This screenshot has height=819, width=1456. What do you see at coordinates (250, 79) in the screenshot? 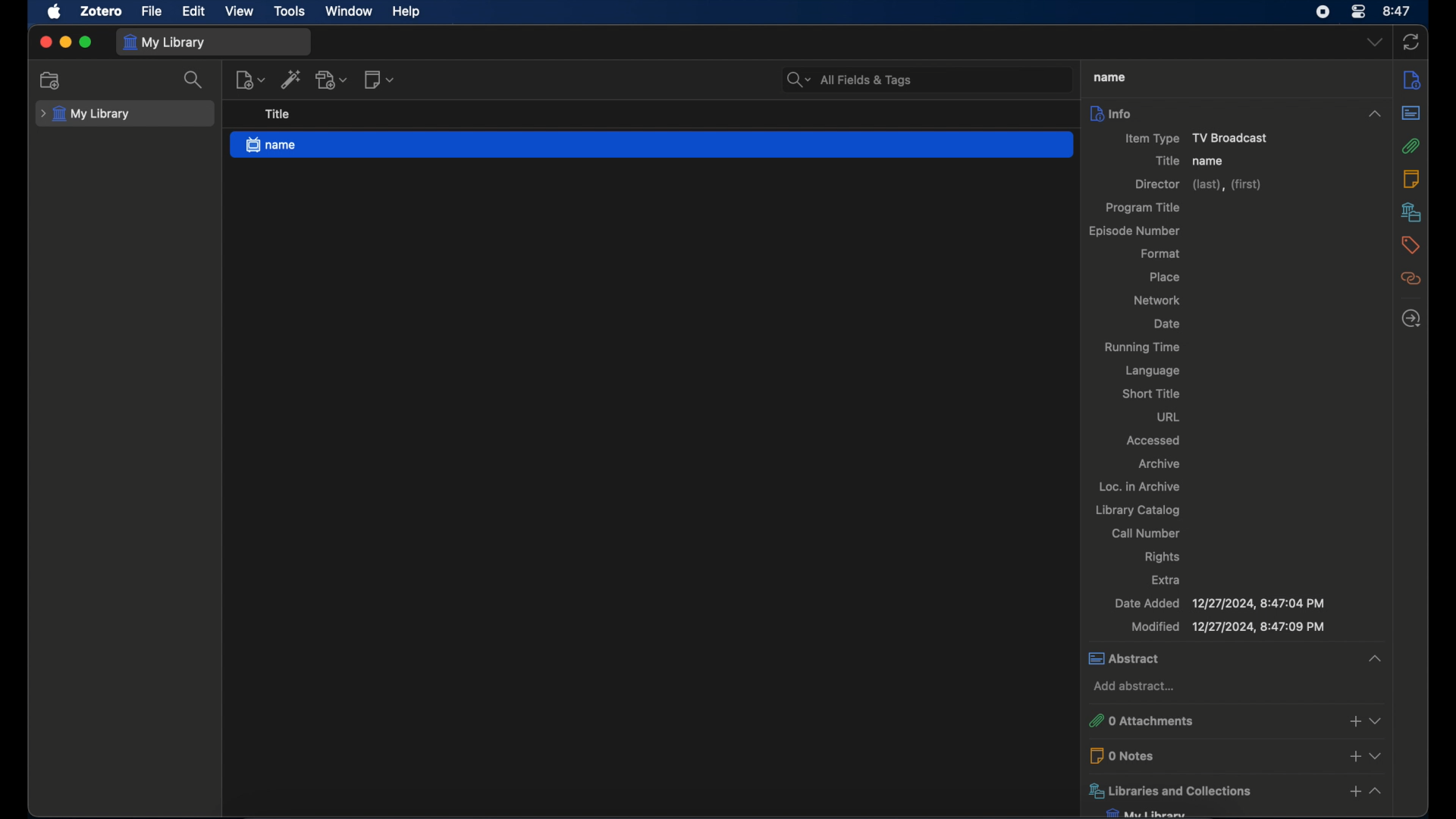
I see `new item` at bounding box center [250, 79].